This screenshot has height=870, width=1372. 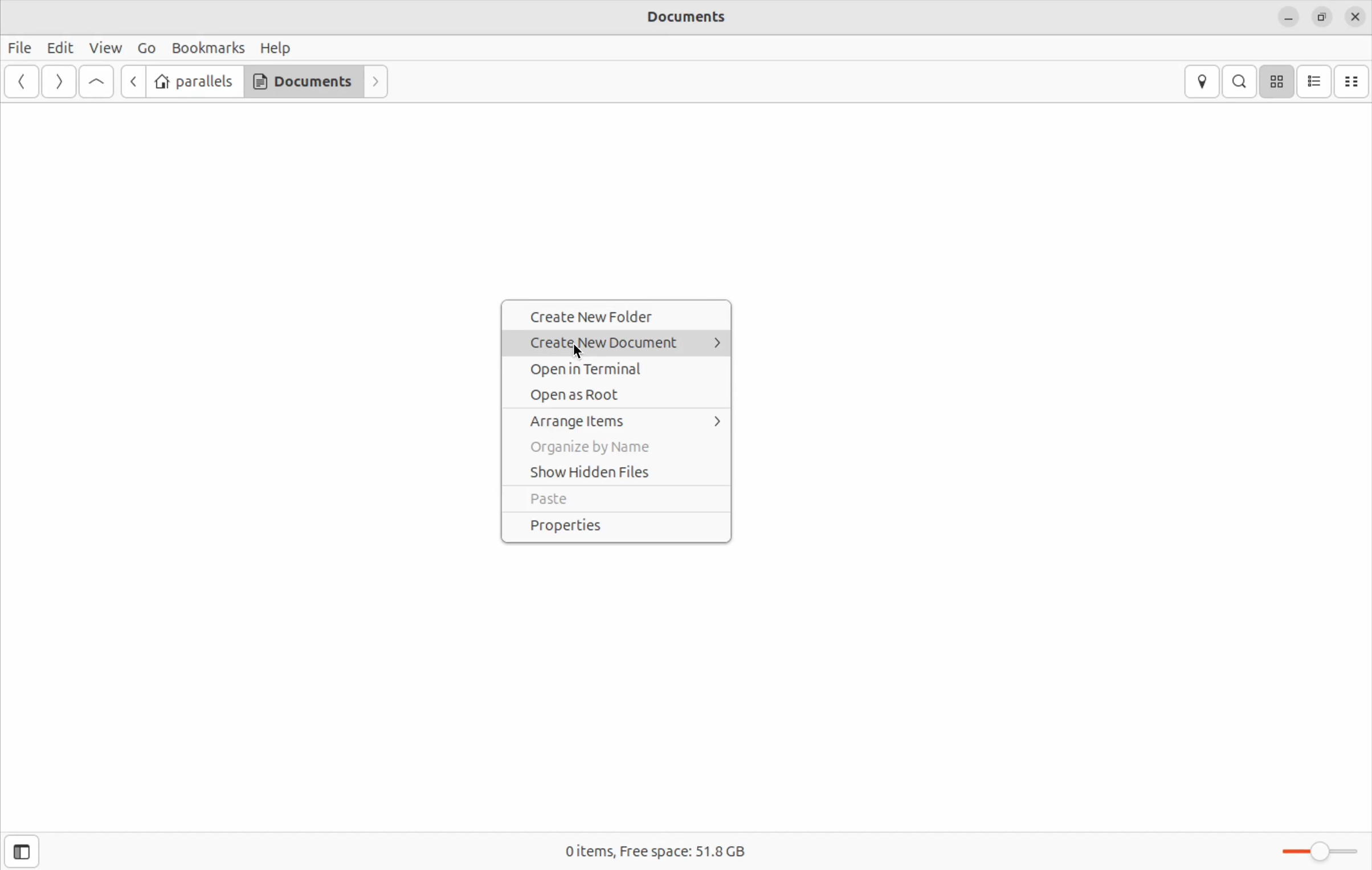 What do you see at coordinates (96, 82) in the screenshot?
I see `go to first file` at bounding box center [96, 82].